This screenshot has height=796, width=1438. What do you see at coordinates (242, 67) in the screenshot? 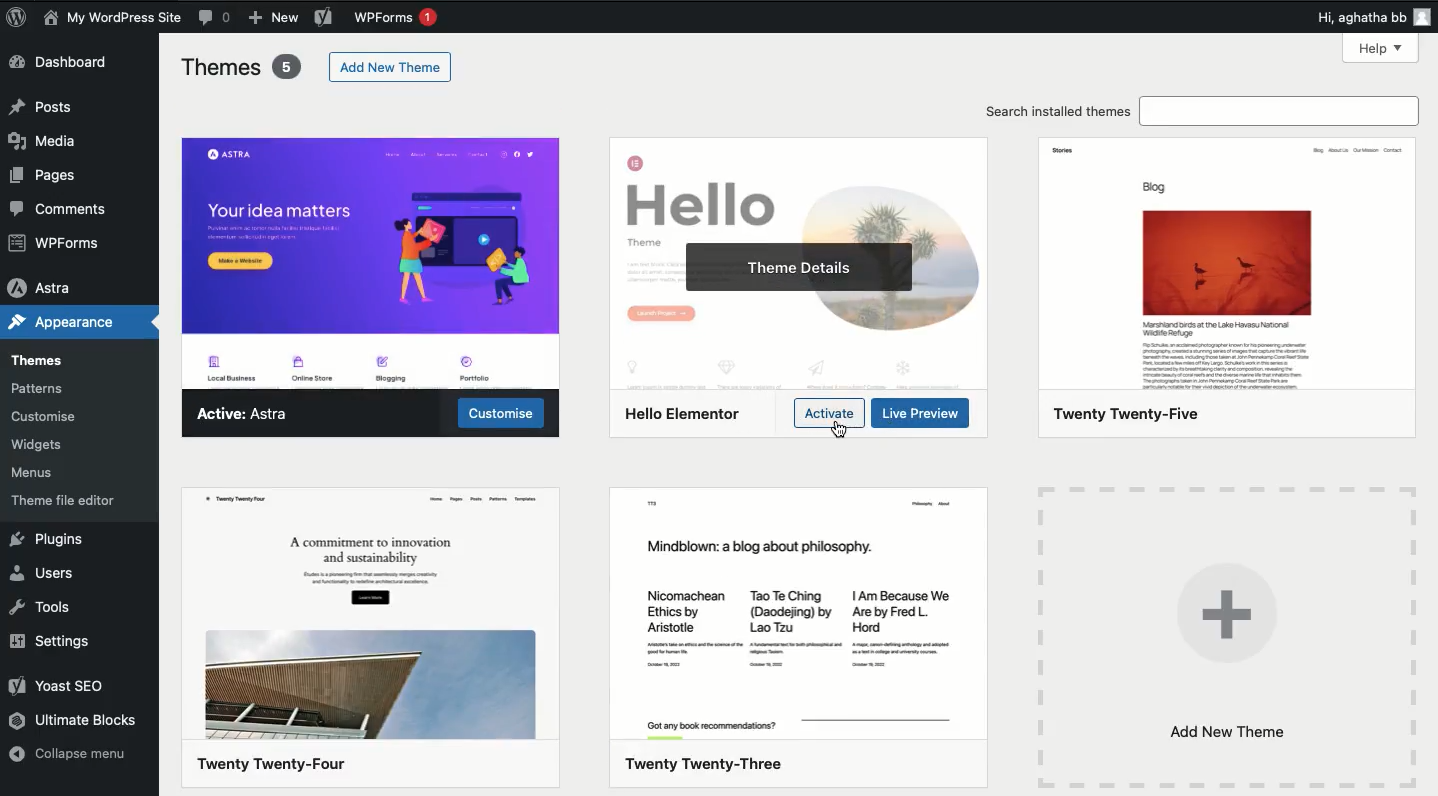
I see `Themes` at bounding box center [242, 67].